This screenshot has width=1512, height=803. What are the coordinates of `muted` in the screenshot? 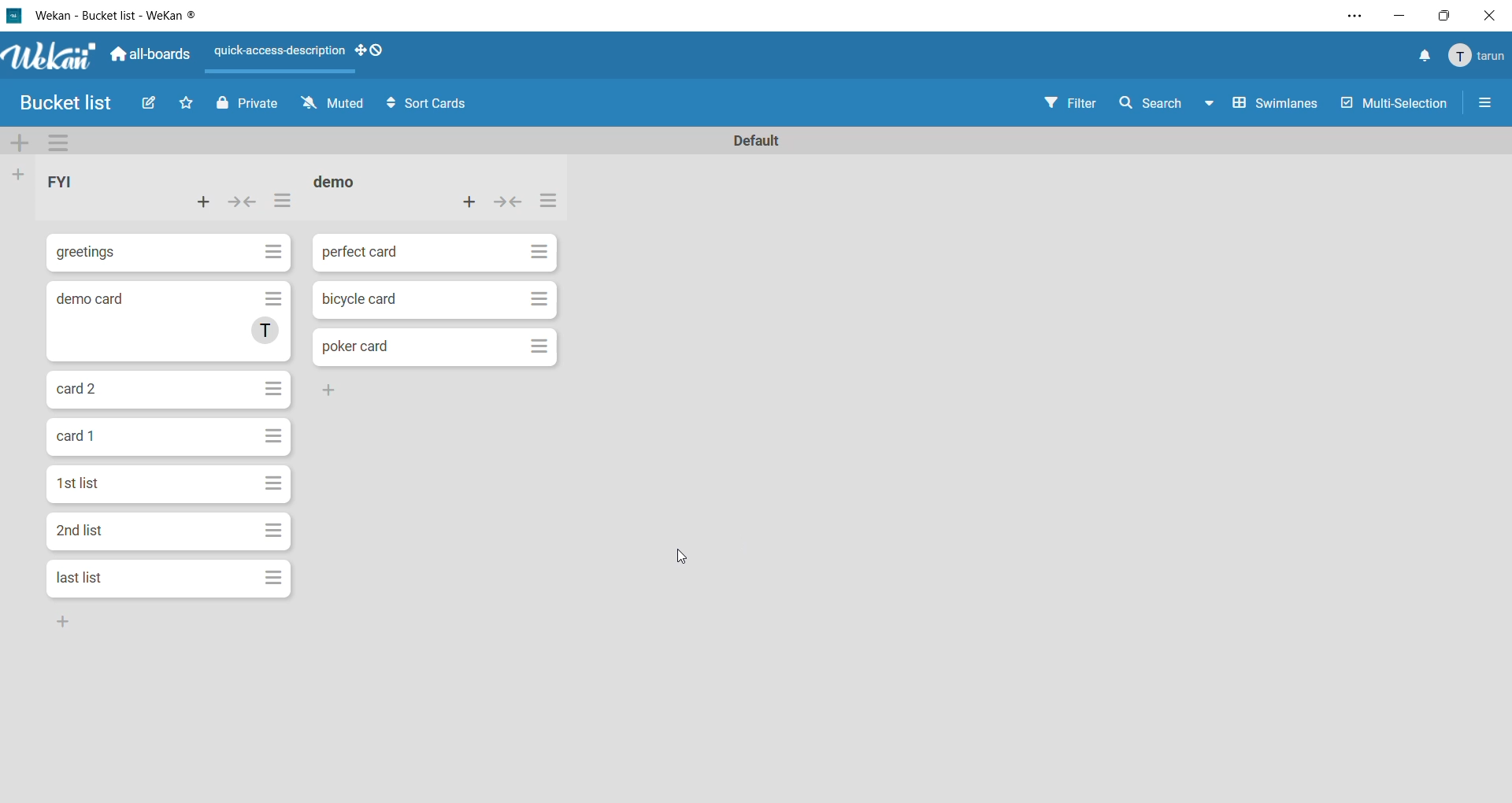 It's located at (329, 106).